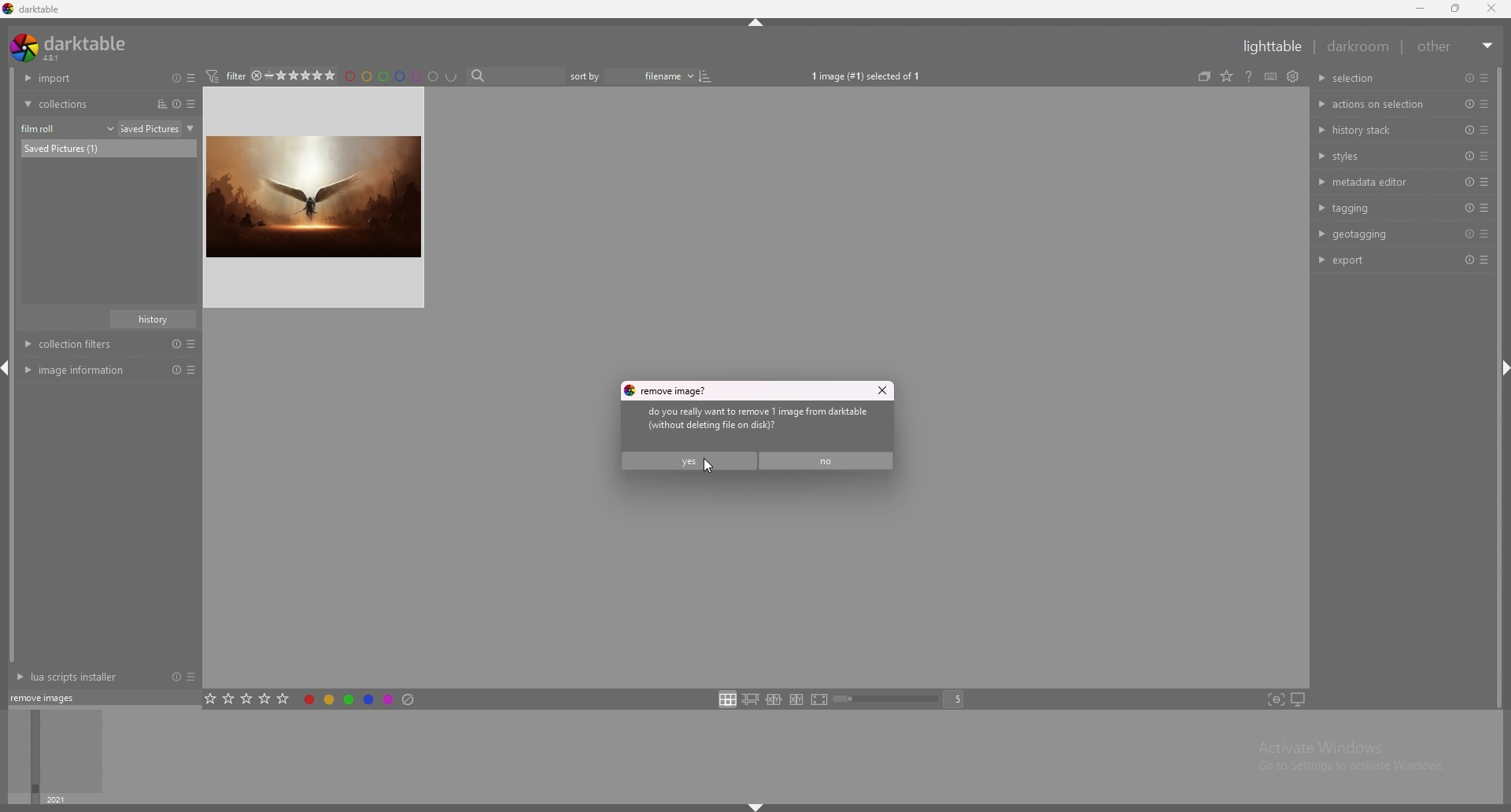  What do you see at coordinates (1376, 260) in the screenshot?
I see `export` at bounding box center [1376, 260].